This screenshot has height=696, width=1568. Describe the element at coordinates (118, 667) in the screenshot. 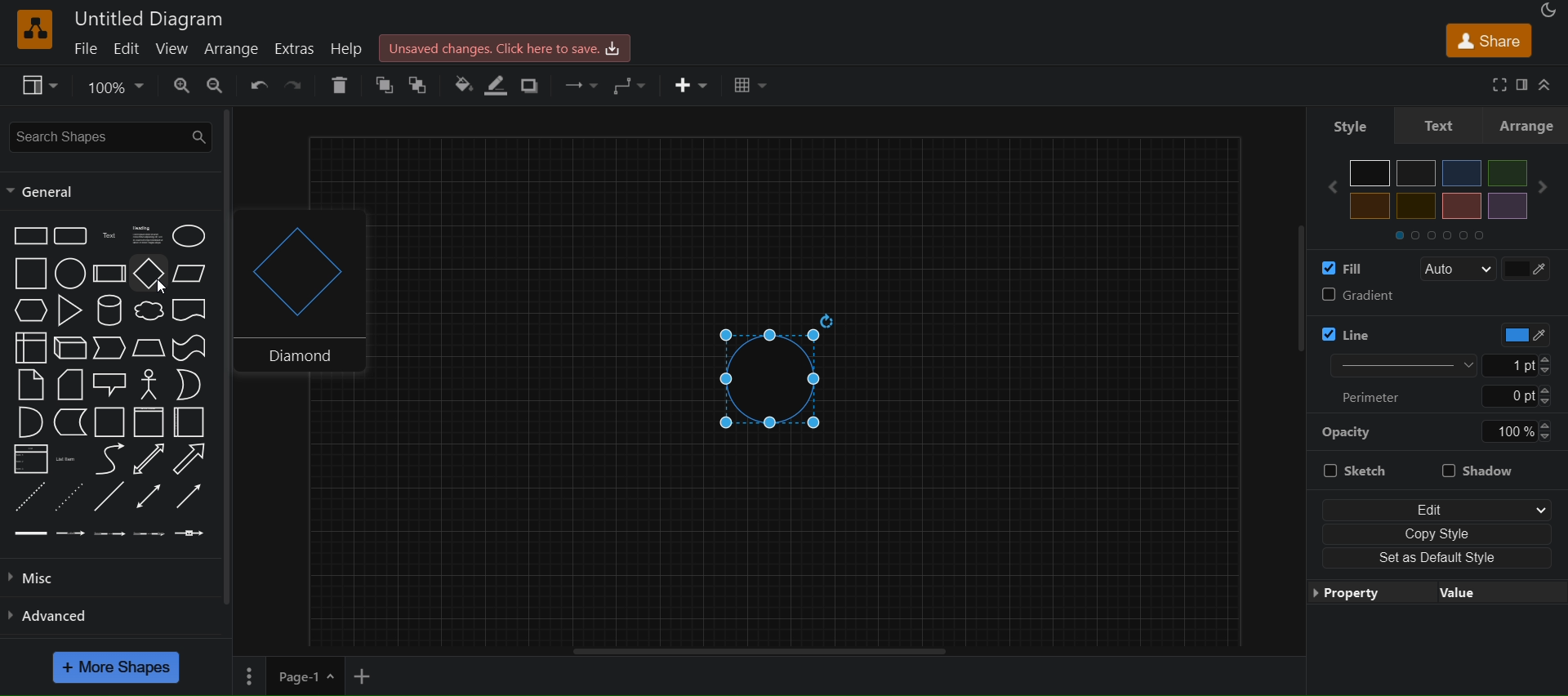

I see `more shapes` at that location.